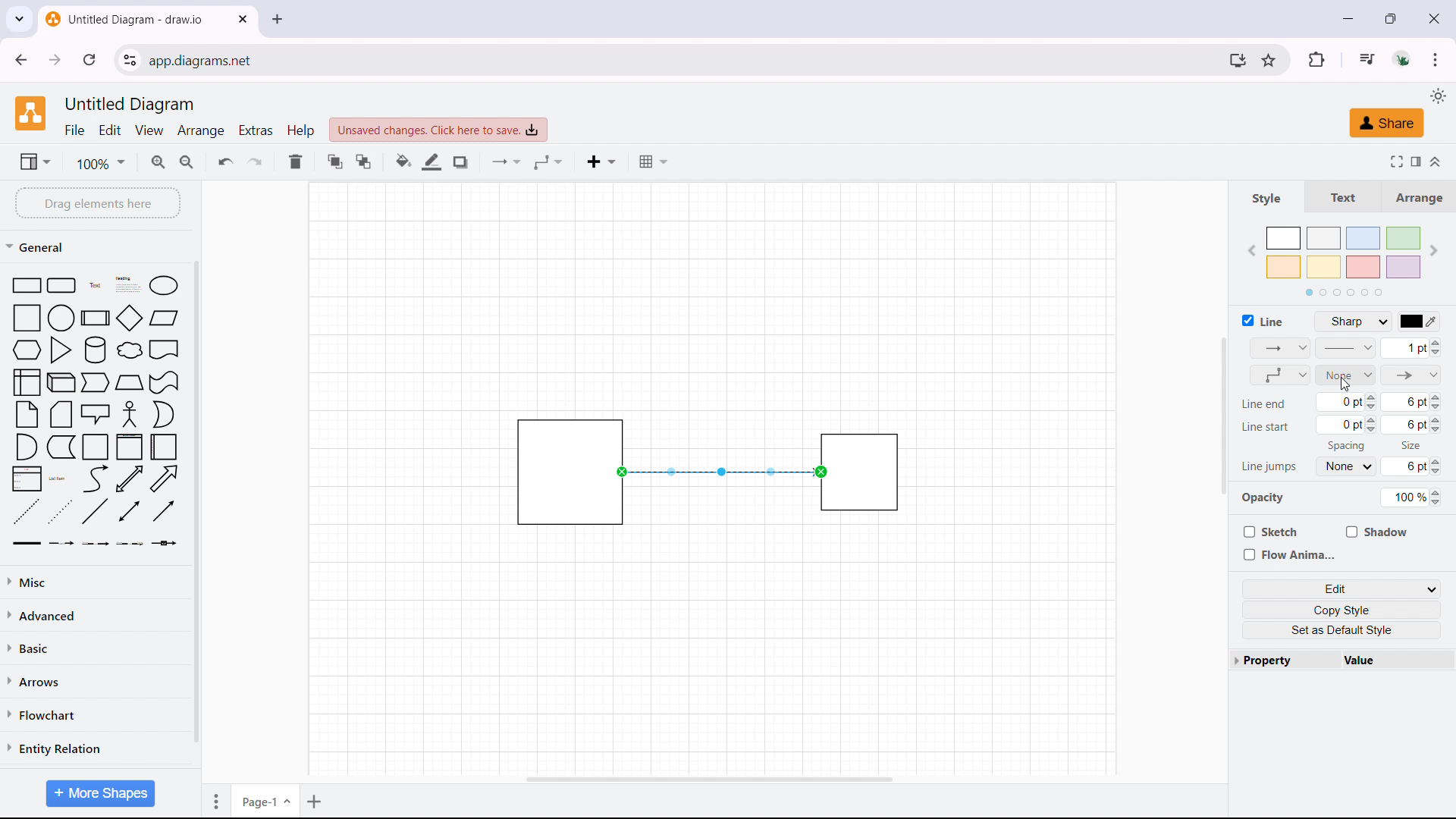 Image resolution: width=1456 pixels, height=819 pixels. What do you see at coordinates (1404, 59) in the screenshot?
I see `account` at bounding box center [1404, 59].